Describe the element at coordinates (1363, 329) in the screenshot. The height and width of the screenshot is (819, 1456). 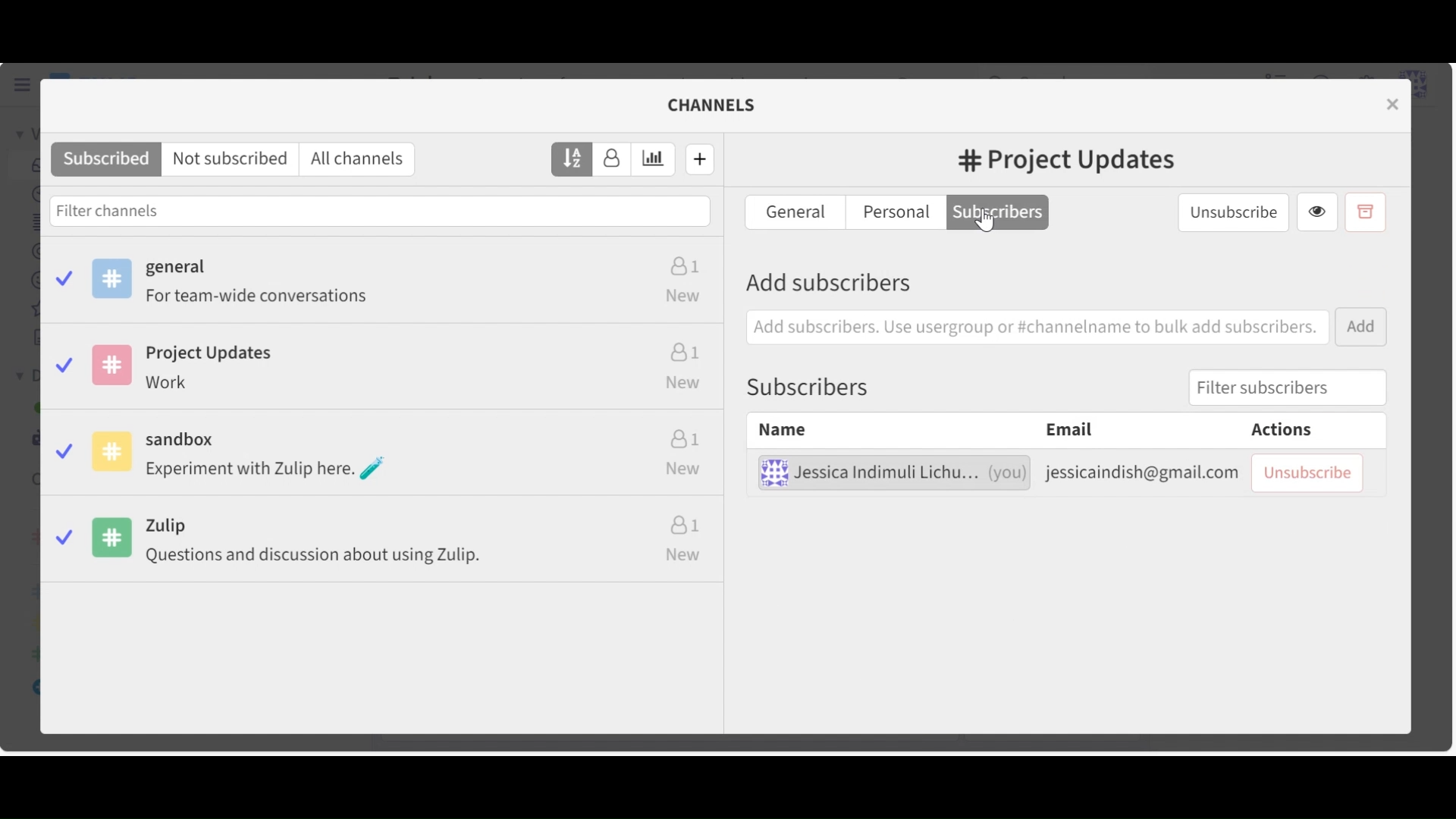
I see `Add button` at that location.